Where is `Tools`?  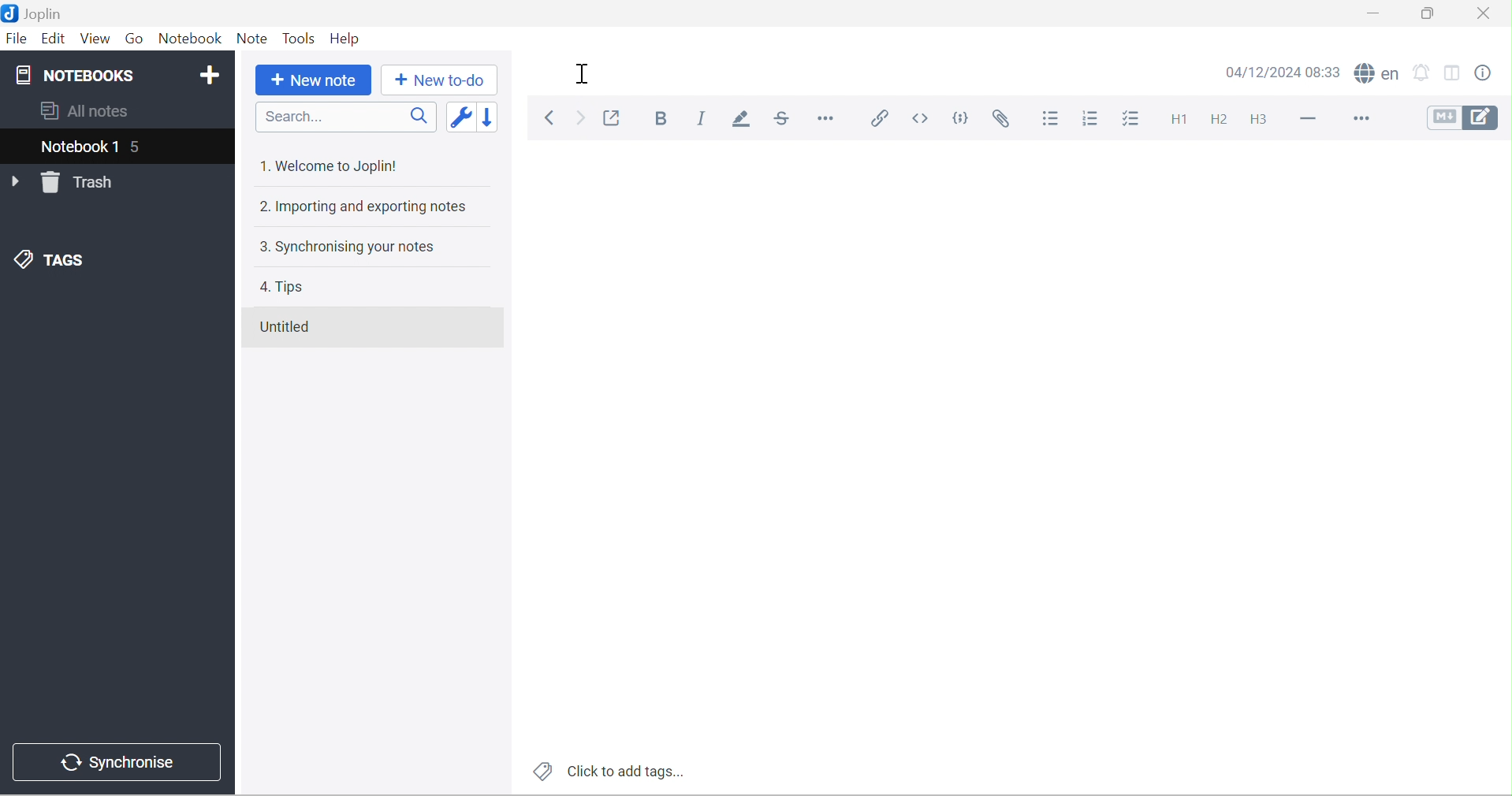
Tools is located at coordinates (300, 38).